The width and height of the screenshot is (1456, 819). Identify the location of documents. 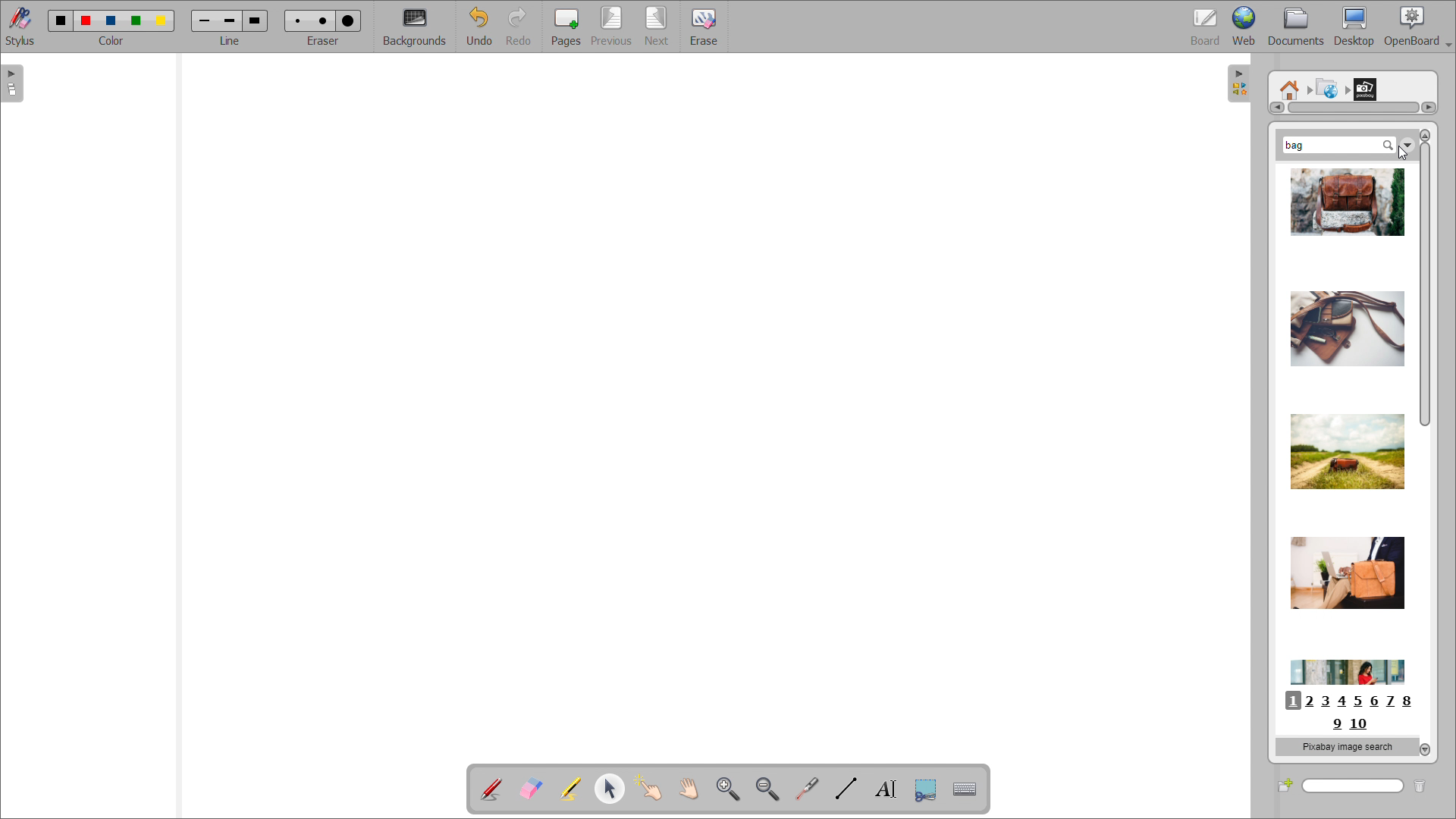
(1297, 27).